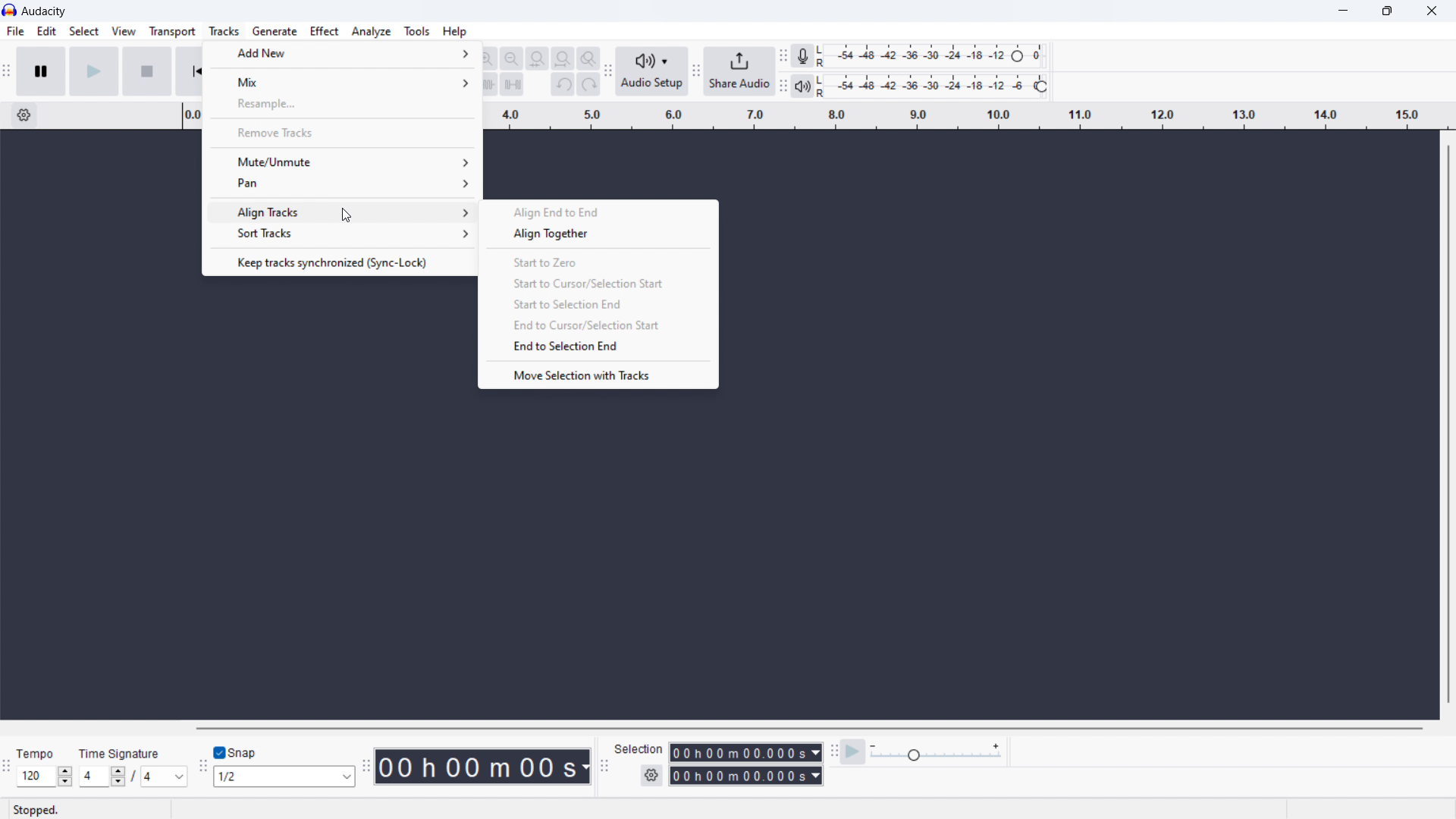 The width and height of the screenshot is (1456, 819). Describe the element at coordinates (808, 728) in the screenshot. I see `horizontal scrollbar` at that location.